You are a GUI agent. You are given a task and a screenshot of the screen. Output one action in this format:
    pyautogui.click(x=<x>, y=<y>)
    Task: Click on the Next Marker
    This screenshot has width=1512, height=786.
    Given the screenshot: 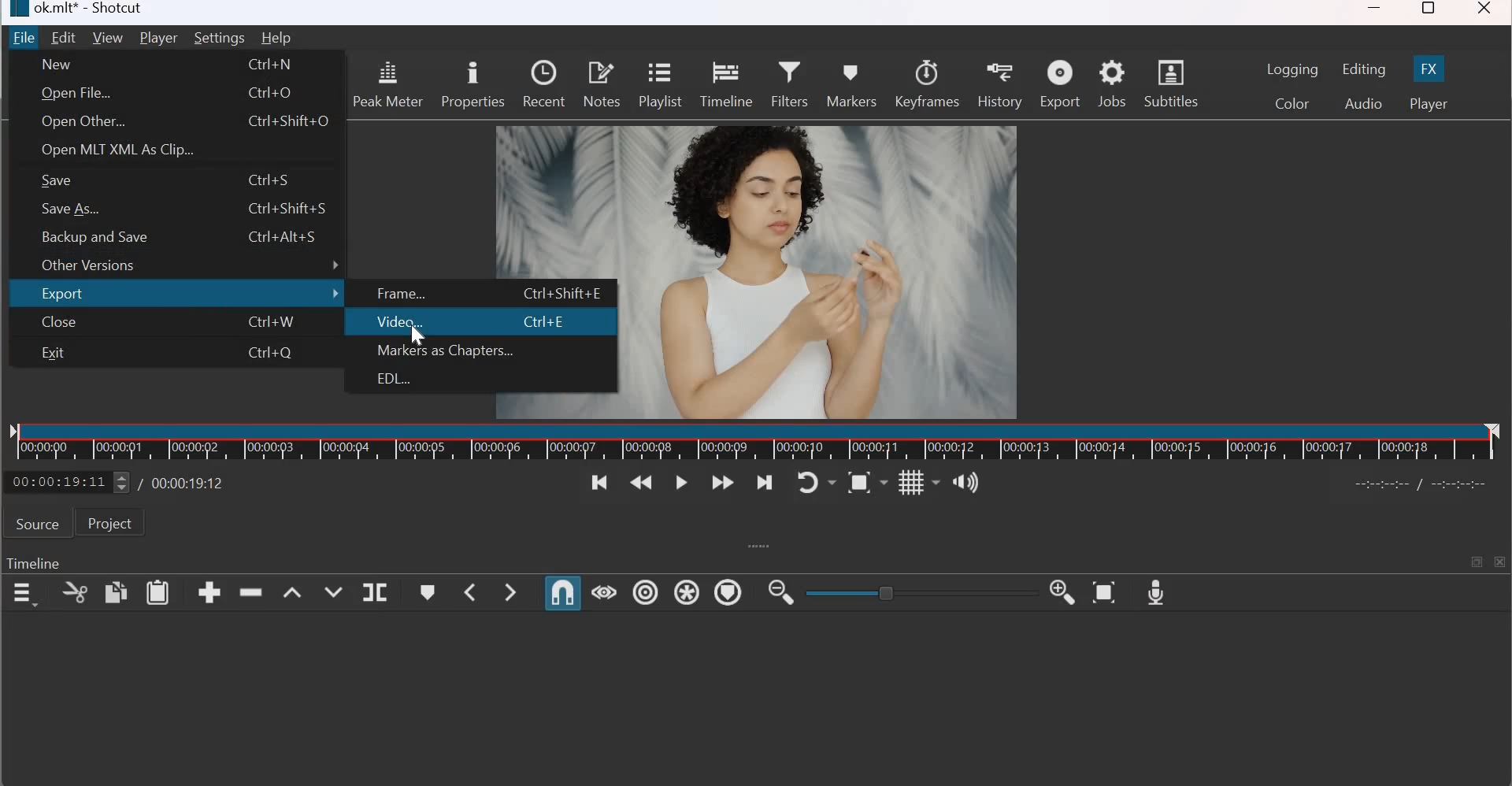 What is the action you would take?
    pyautogui.click(x=510, y=591)
    